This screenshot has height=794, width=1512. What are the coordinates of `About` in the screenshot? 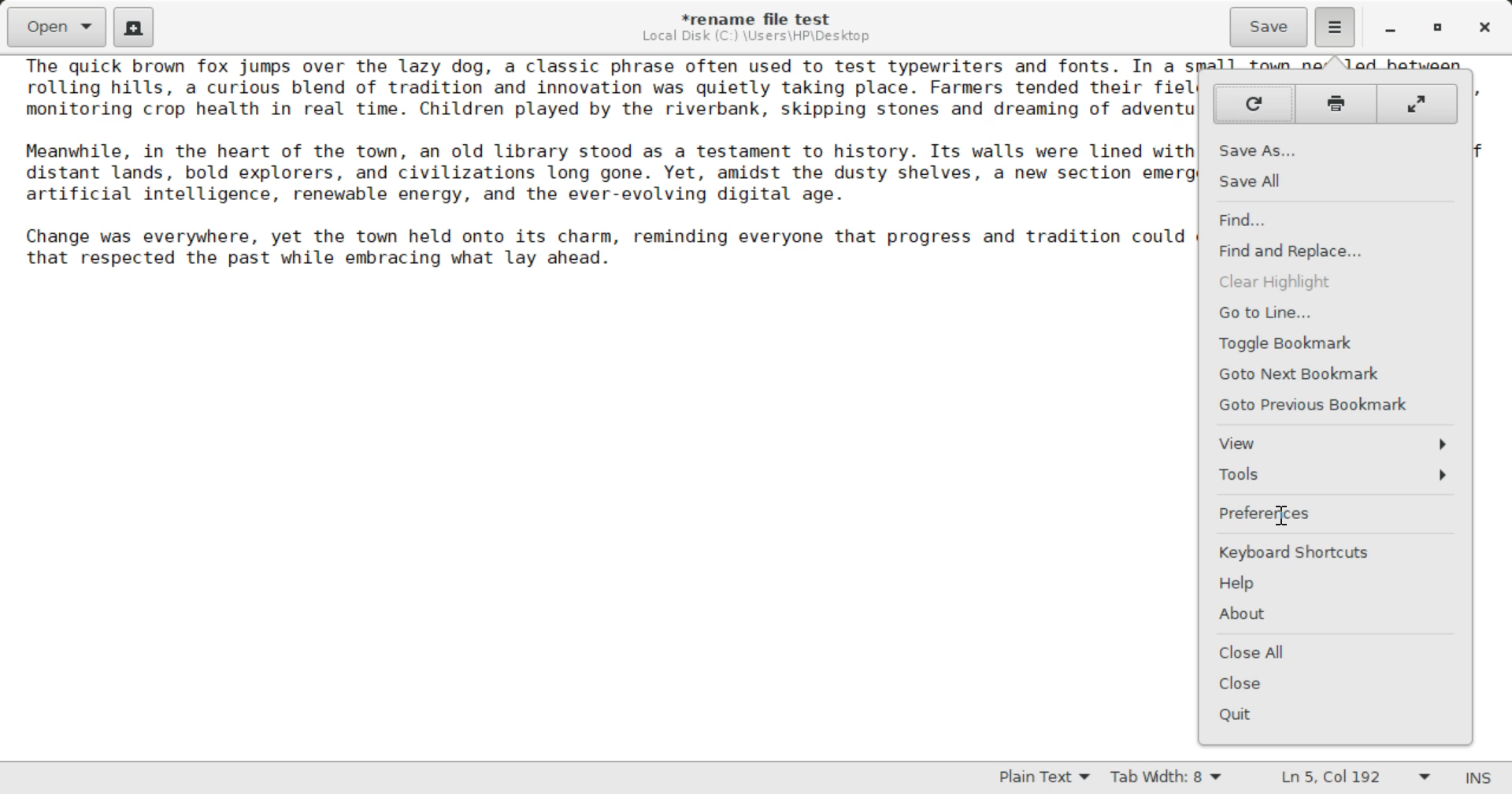 It's located at (1333, 614).